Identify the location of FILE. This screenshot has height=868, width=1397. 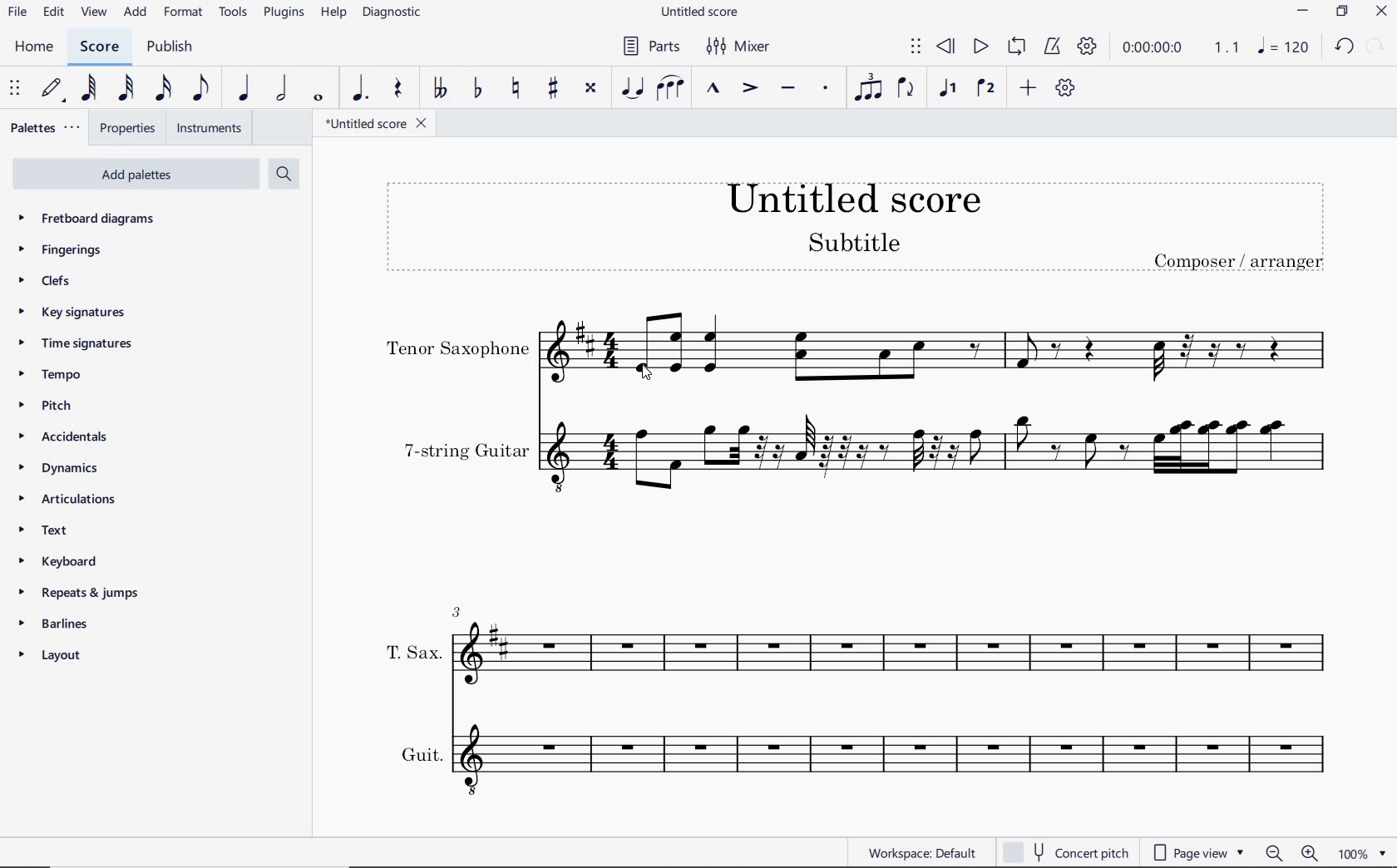
(18, 14).